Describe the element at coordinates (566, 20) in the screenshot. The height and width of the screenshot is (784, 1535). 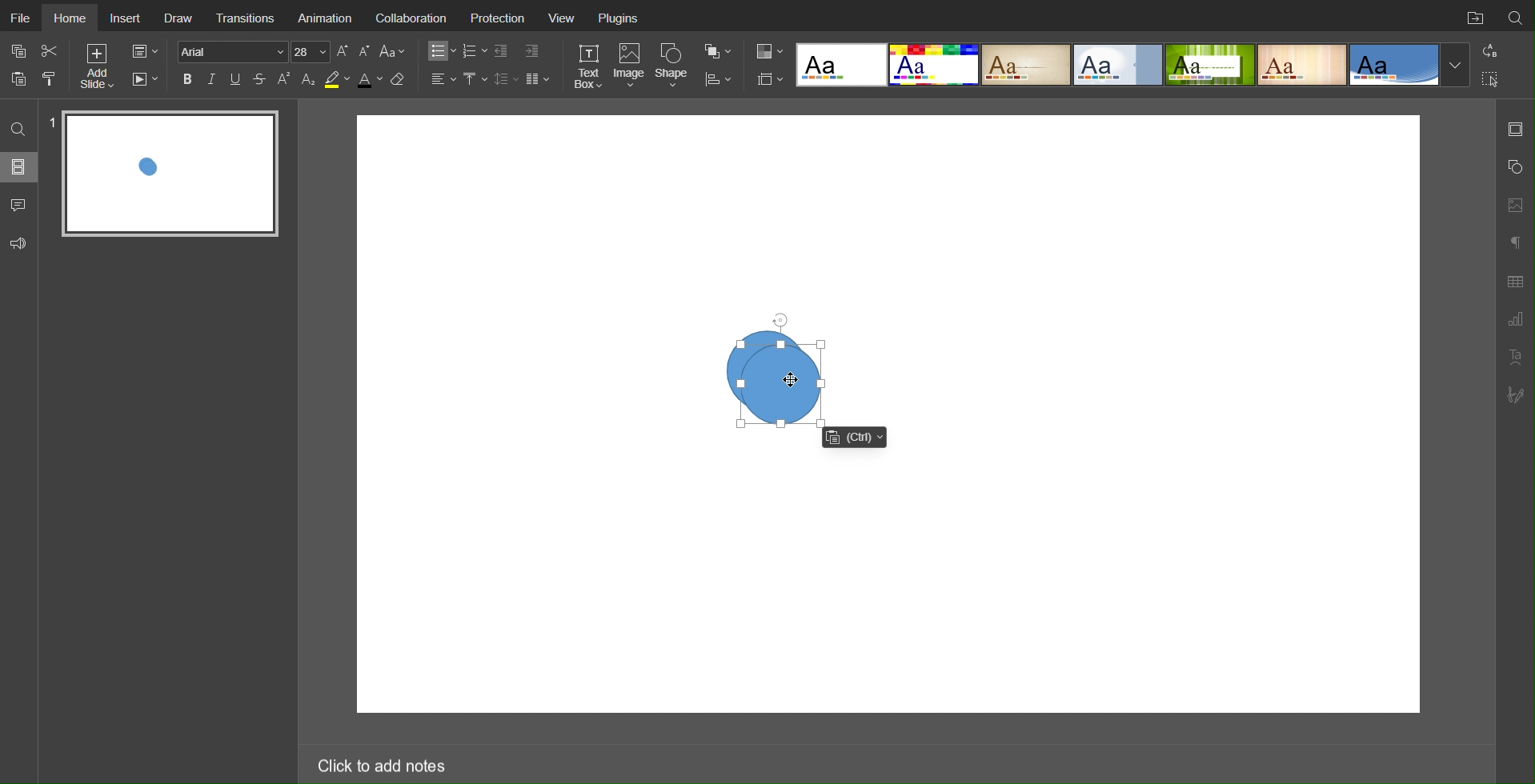
I see `View` at that location.